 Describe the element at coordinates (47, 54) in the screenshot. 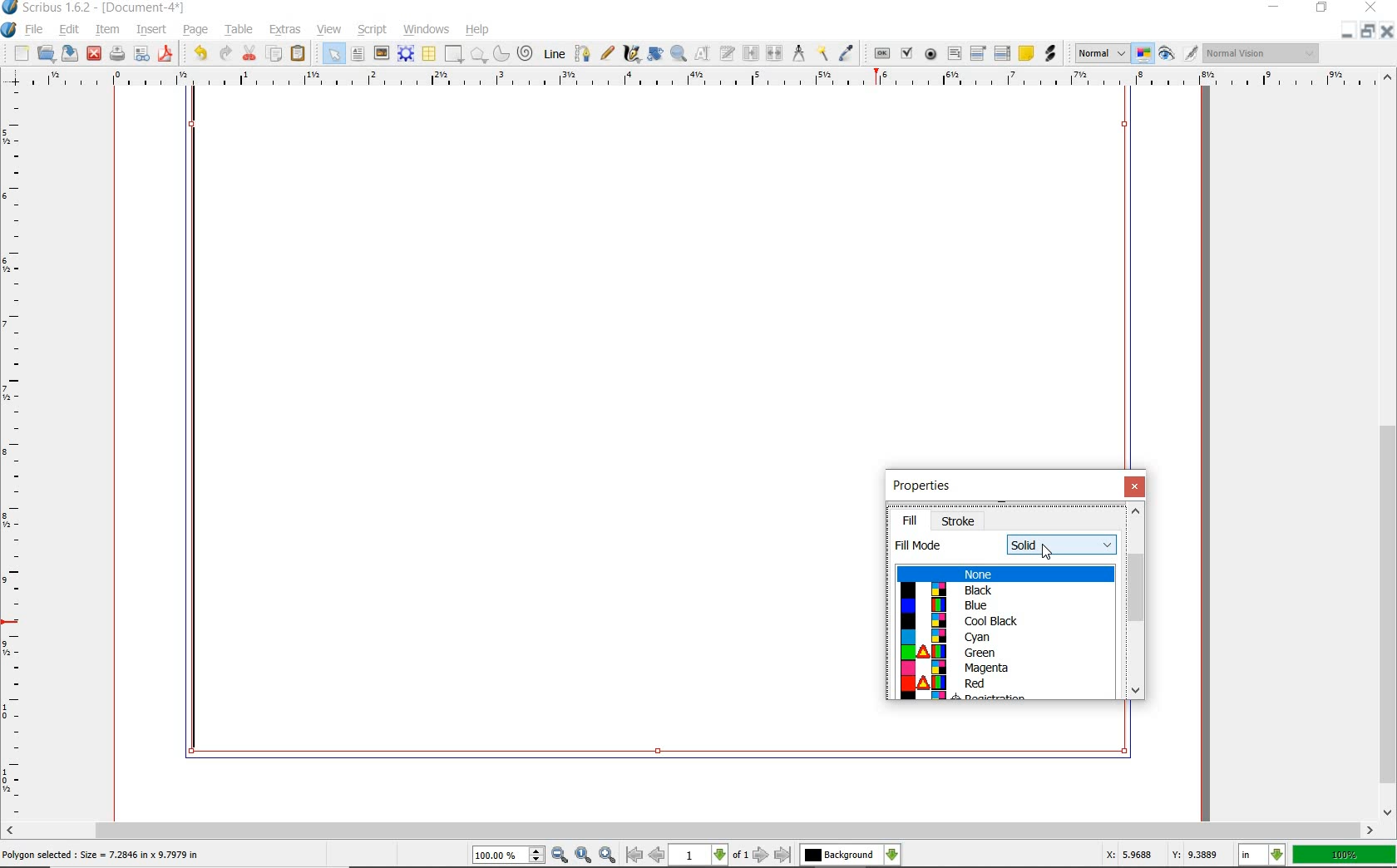

I see `open` at that location.